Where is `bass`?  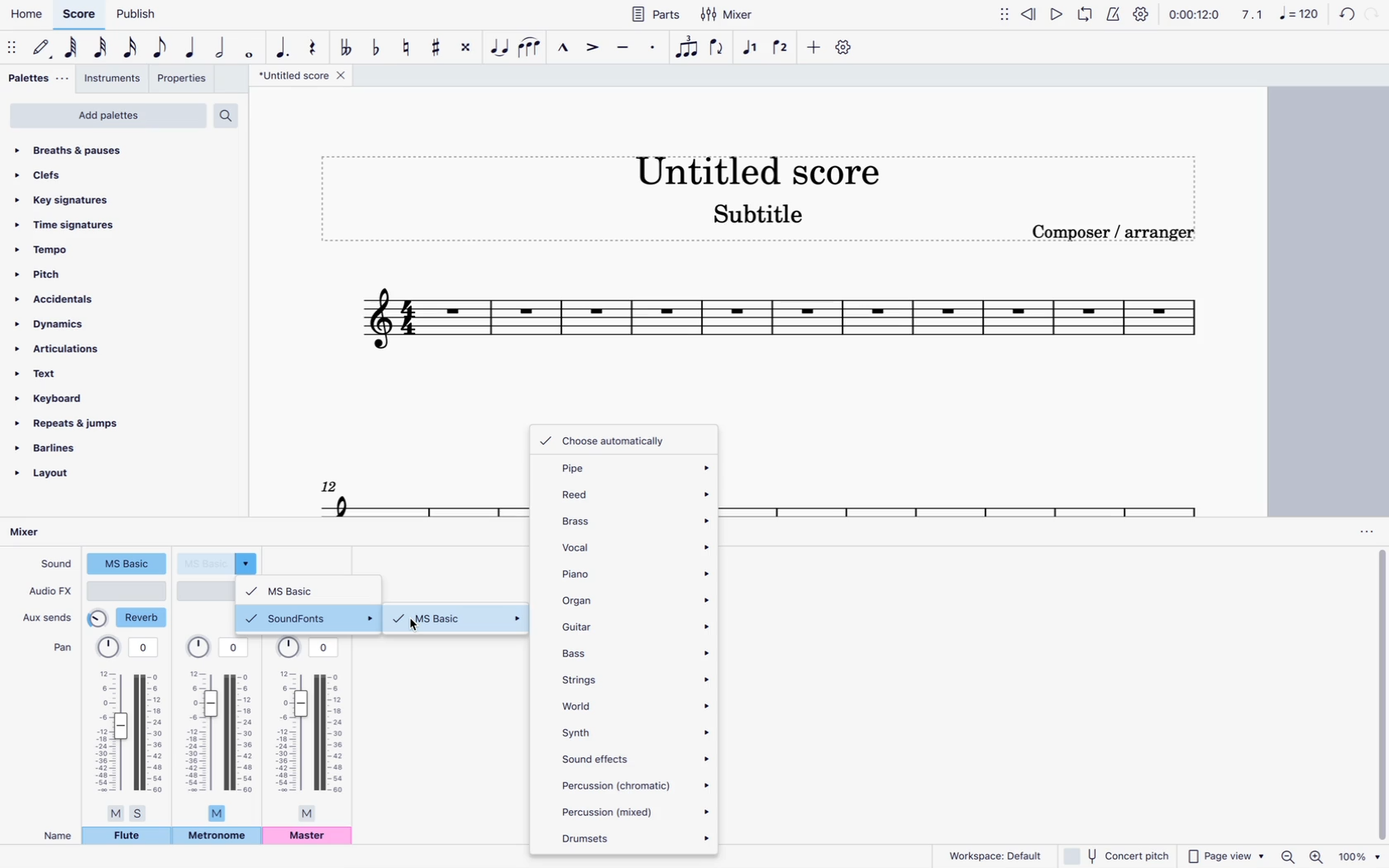 bass is located at coordinates (636, 653).